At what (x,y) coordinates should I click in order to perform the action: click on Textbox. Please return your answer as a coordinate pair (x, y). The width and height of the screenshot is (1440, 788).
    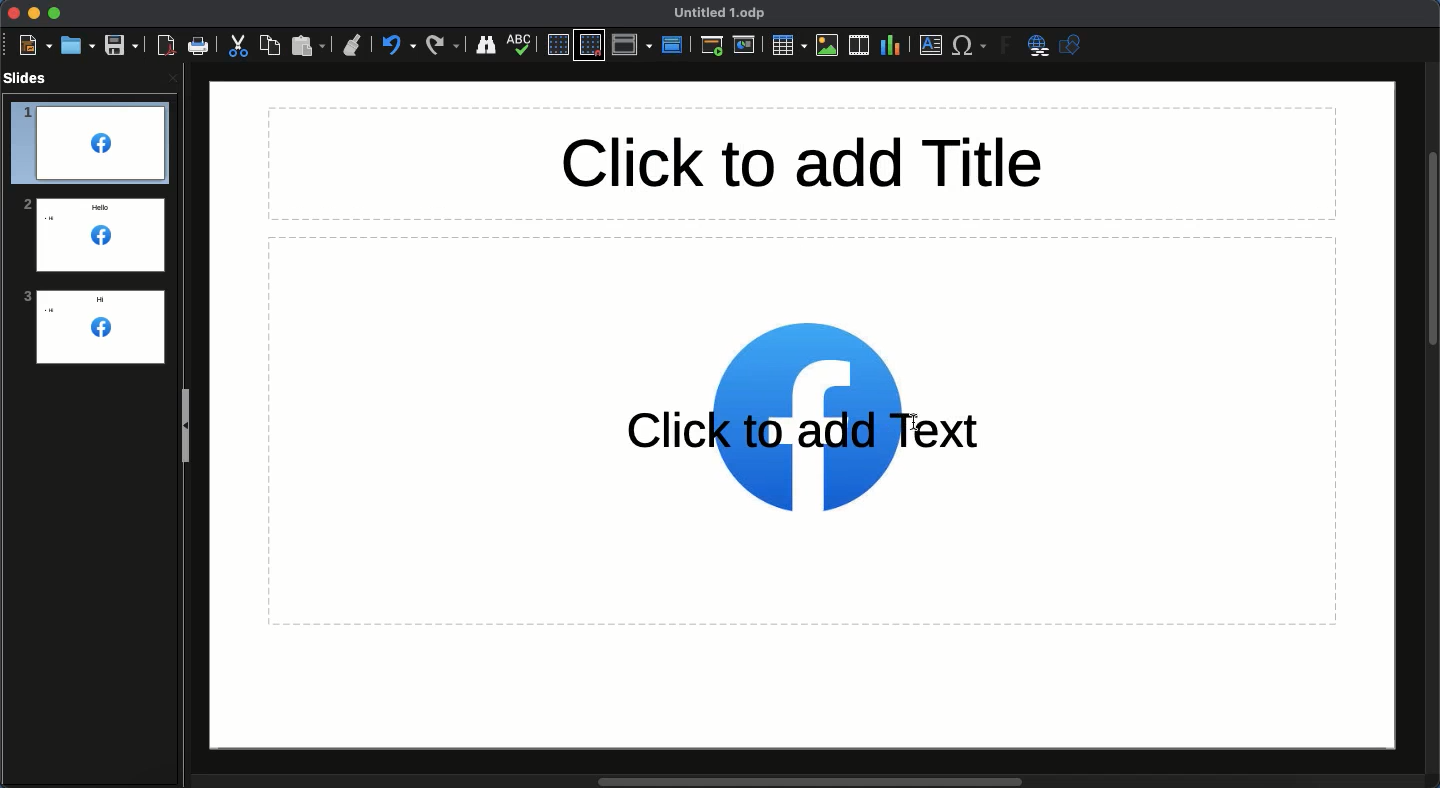
    Looking at the image, I should click on (929, 46).